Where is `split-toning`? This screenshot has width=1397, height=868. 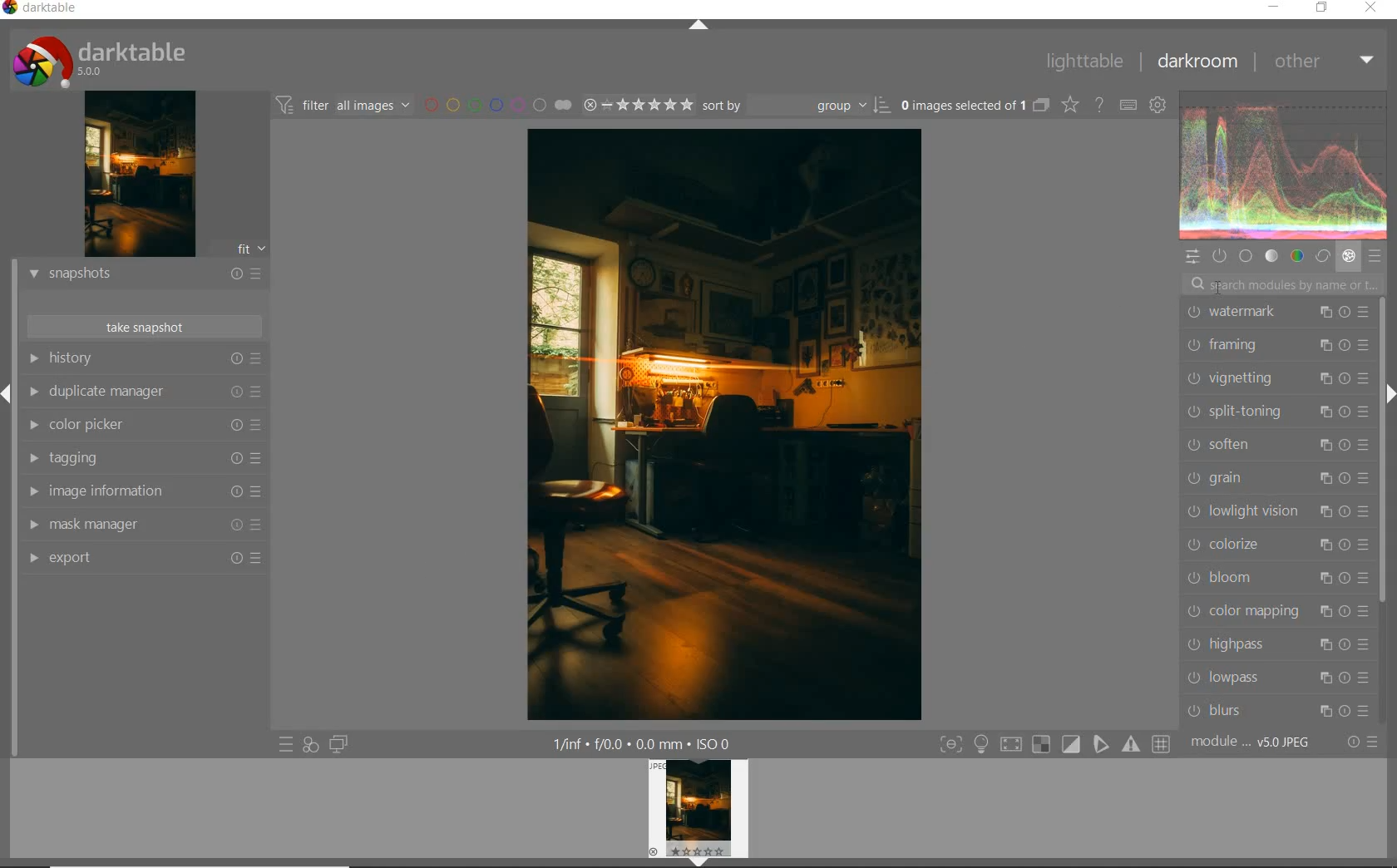
split-toning is located at coordinates (1277, 411).